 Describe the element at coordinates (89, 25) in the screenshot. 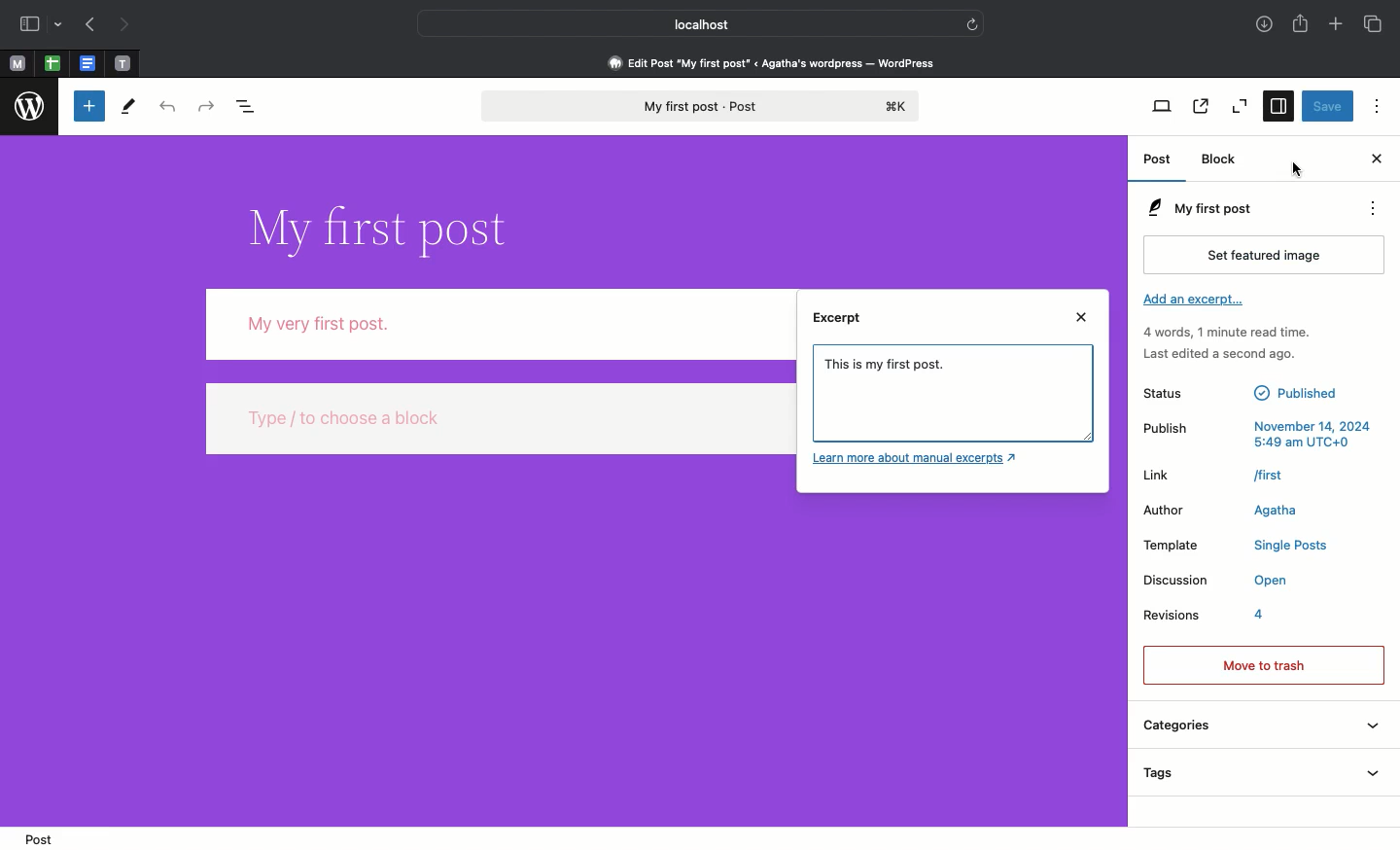

I see `Previous page` at that location.